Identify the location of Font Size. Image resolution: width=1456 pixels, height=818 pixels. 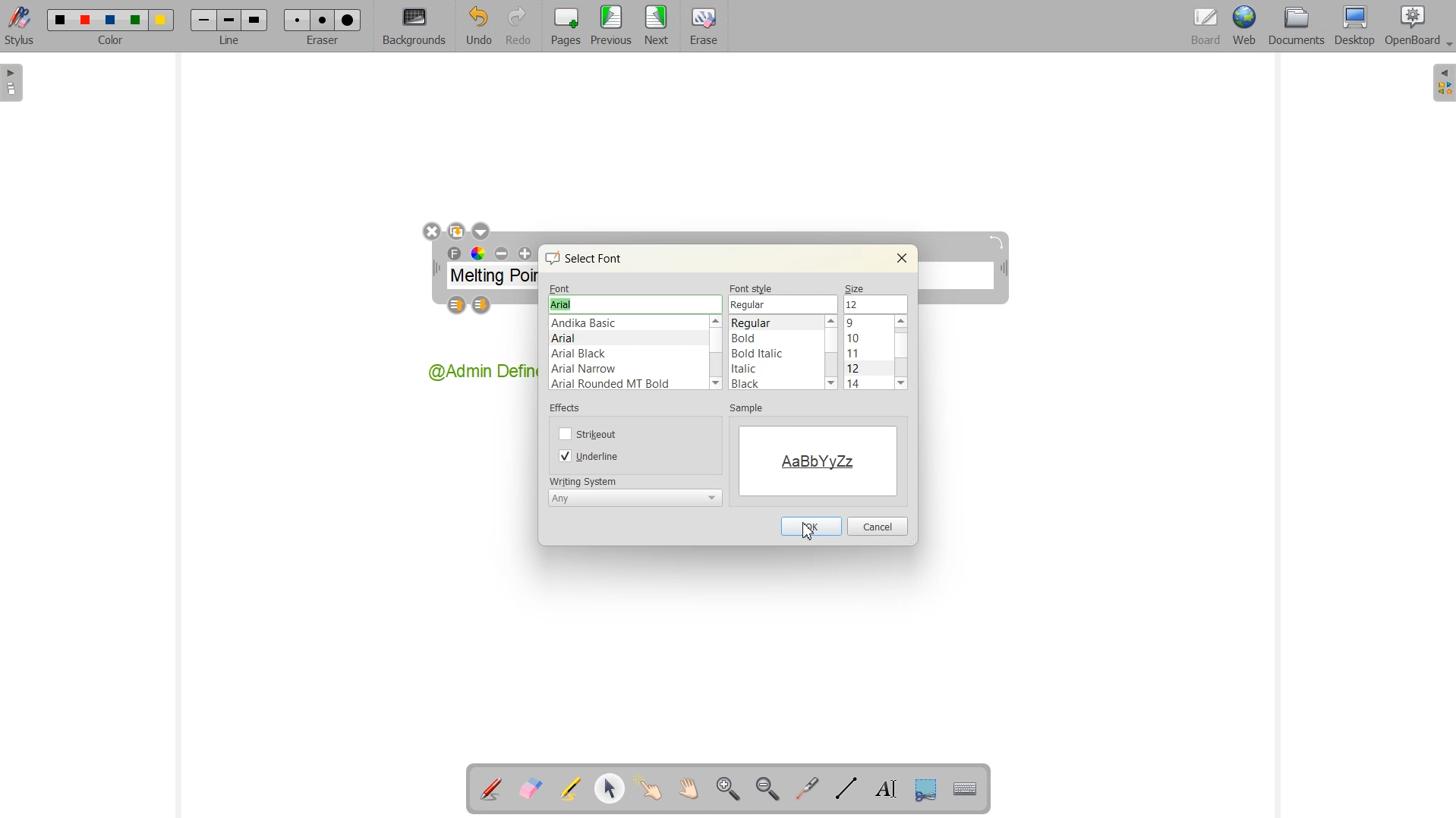
(875, 304).